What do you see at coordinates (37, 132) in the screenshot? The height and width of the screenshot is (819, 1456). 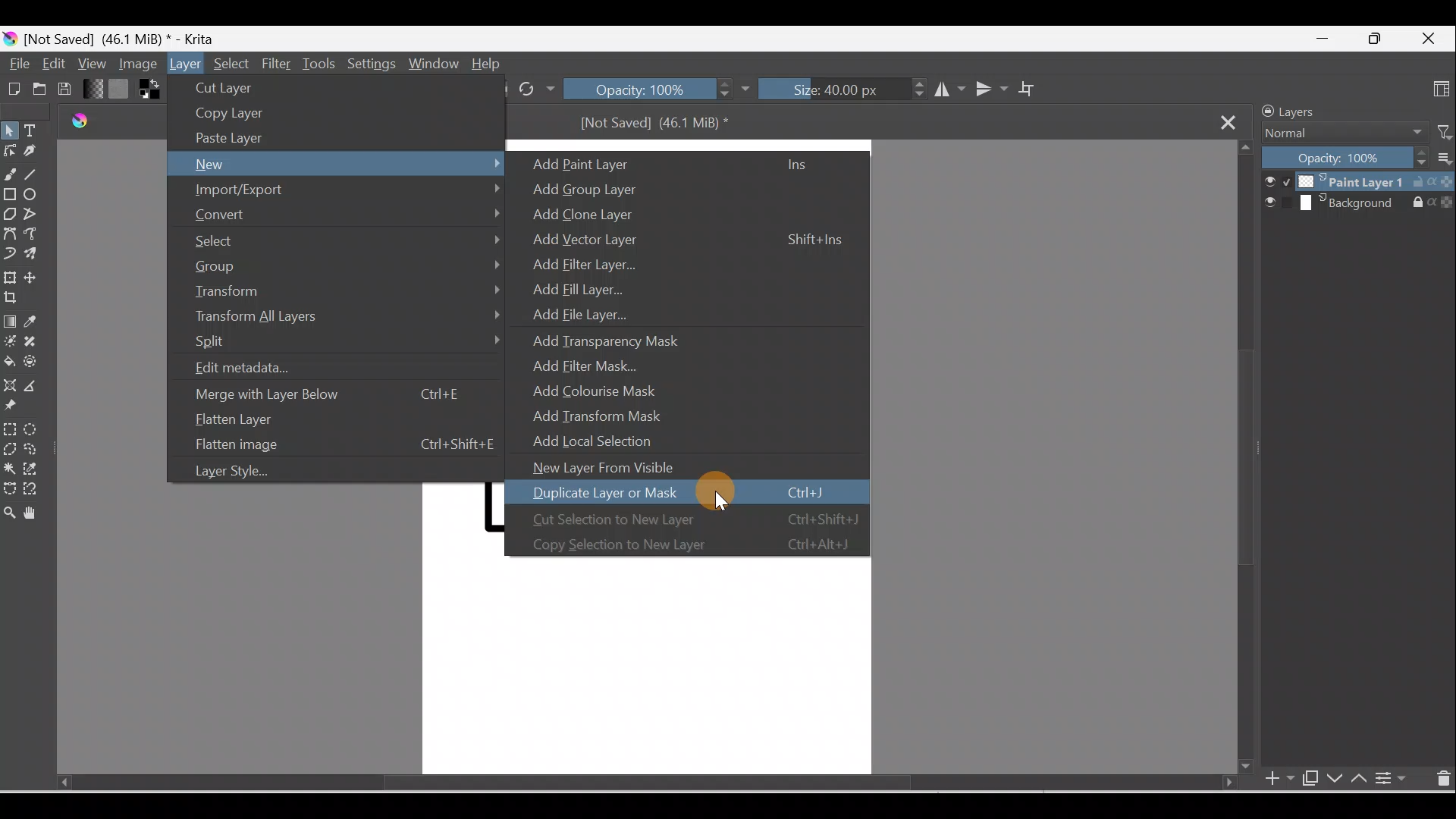 I see `Text tool` at bounding box center [37, 132].